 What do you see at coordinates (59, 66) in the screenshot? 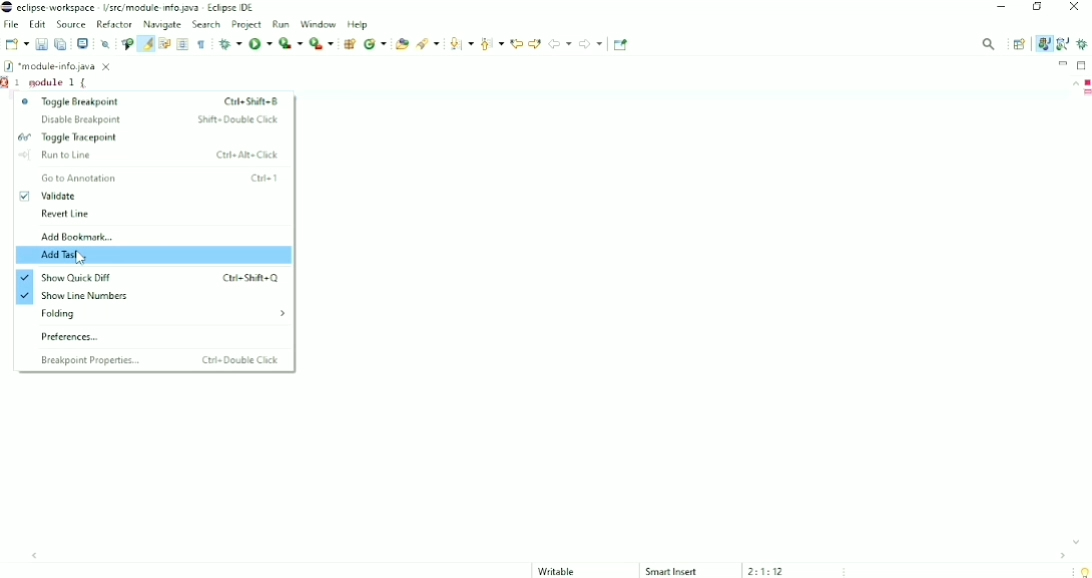
I see `*module-info.java` at bounding box center [59, 66].